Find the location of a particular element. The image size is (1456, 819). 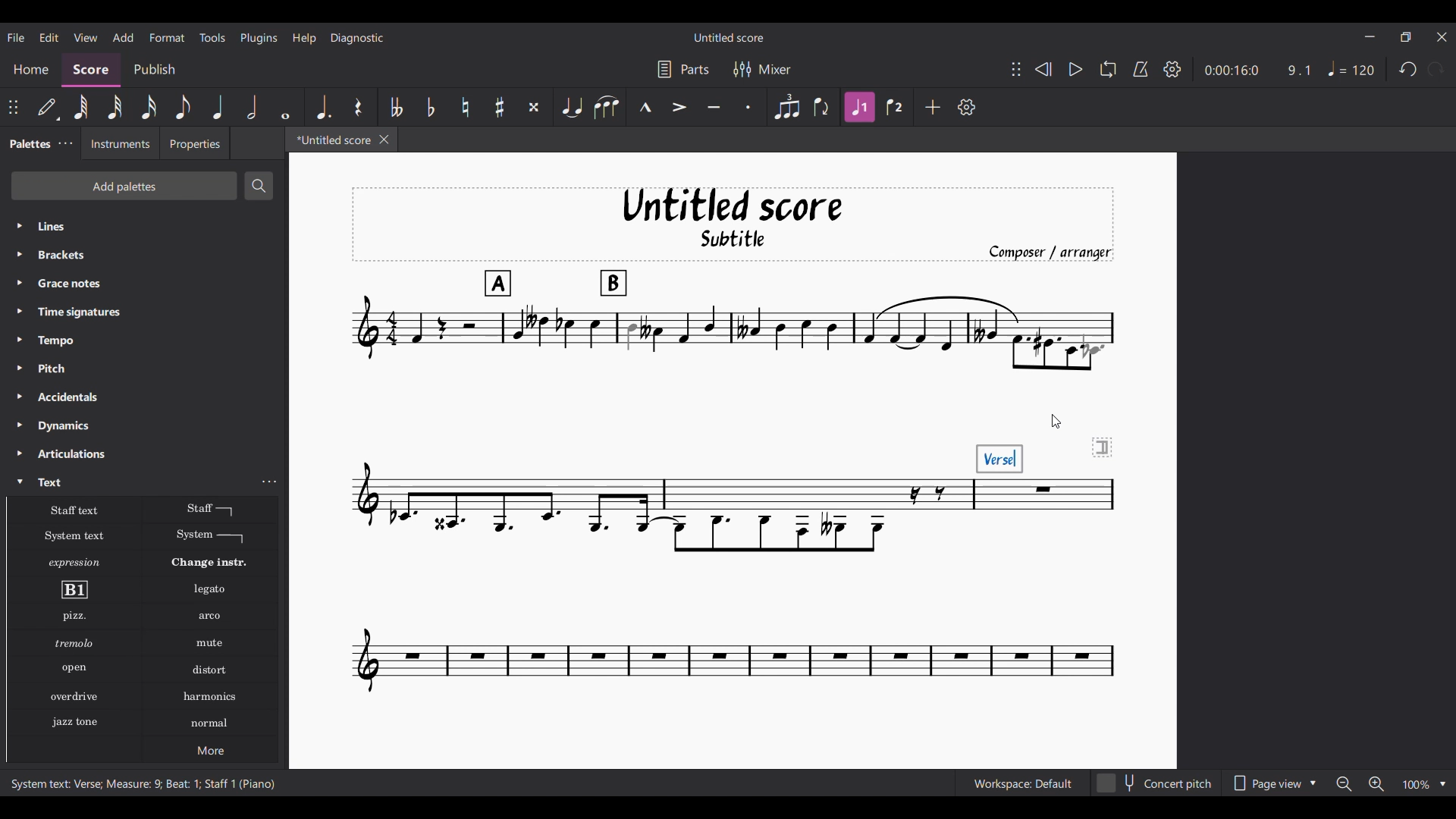

Rewind is located at coordinates (1043, 69).